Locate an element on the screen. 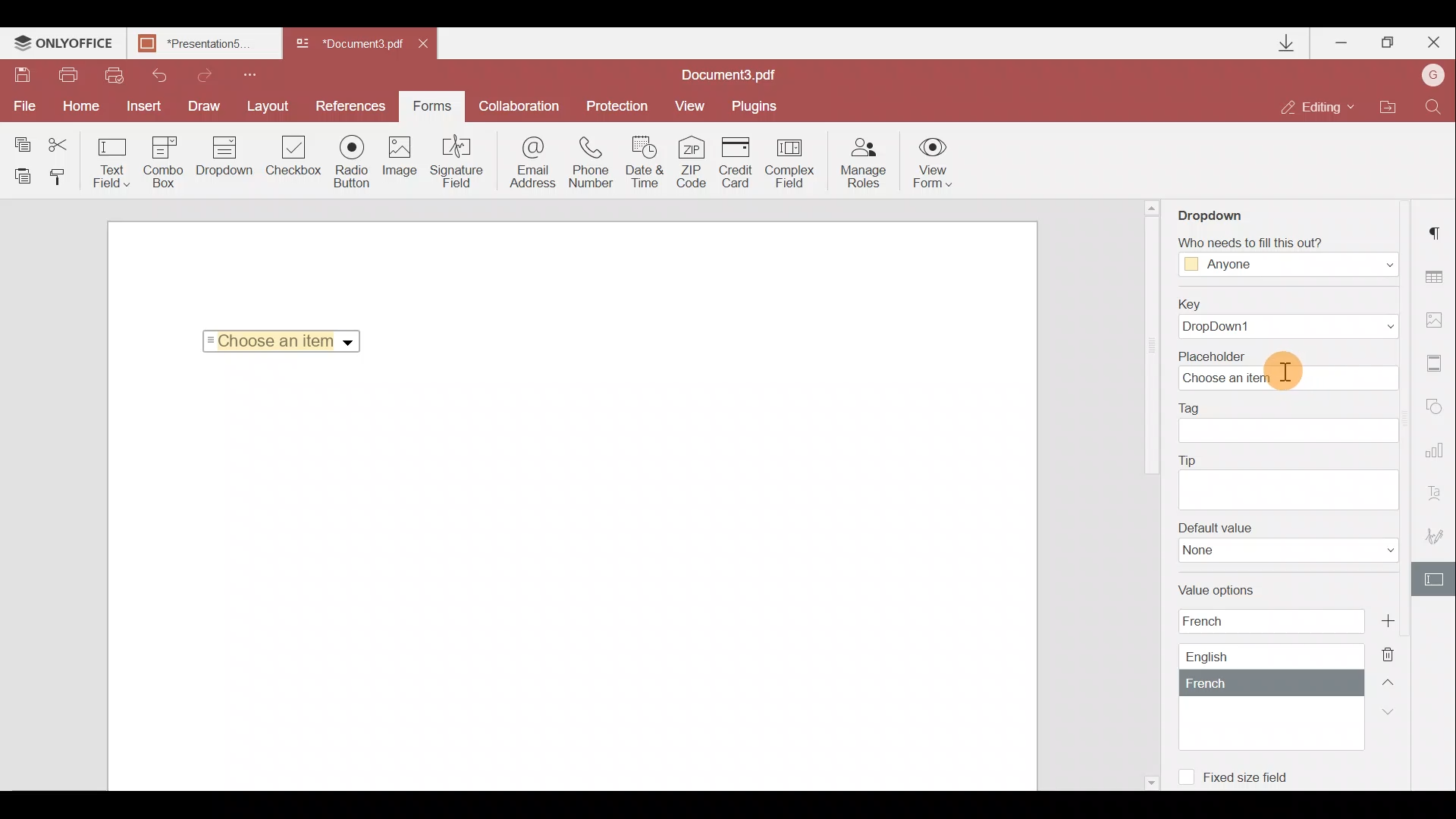 Image resolution: width=1456 pixels, height=819 pixels. Insert is located at coordinates (140, 103).